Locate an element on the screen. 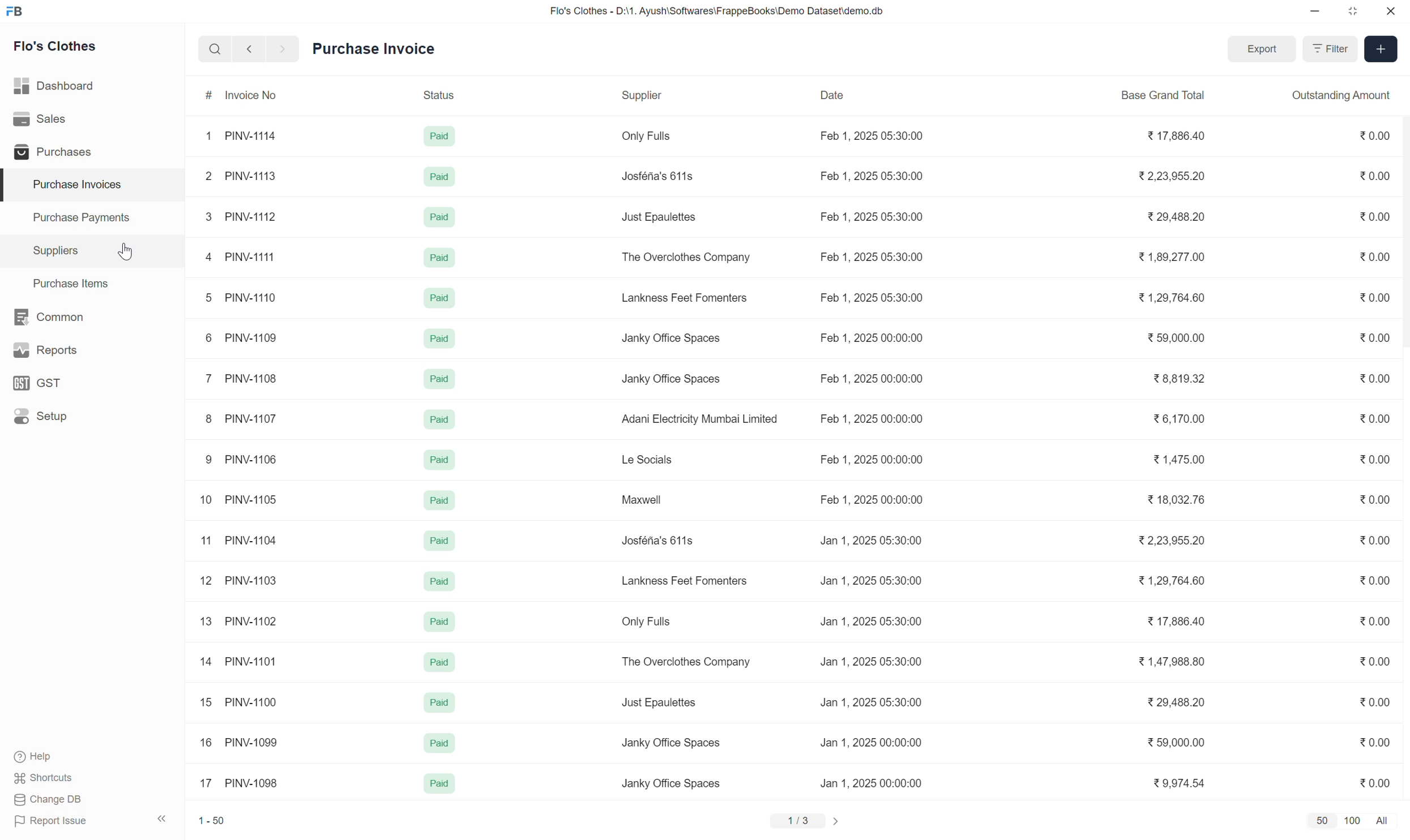 Image resolution: width=1410 pixels, height=840 pixels. 6,170.00 is located at coordinates (1178, 418).